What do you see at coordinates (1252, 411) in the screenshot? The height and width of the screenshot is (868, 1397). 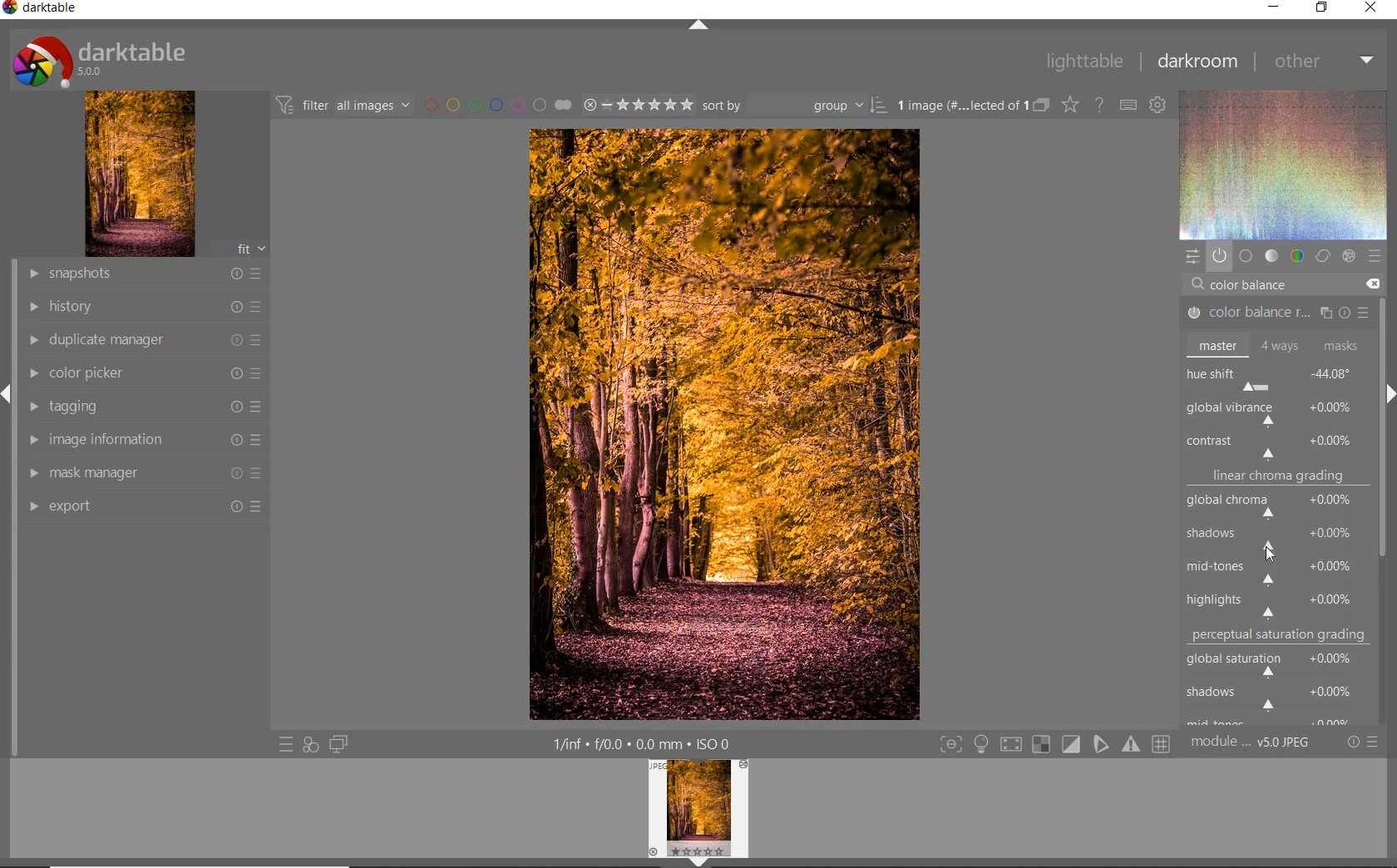 I see `ROTATE ALL HUES BY AN ANGLE AT THE SAME LUMINANCE` at bounding box center [1252, 411].